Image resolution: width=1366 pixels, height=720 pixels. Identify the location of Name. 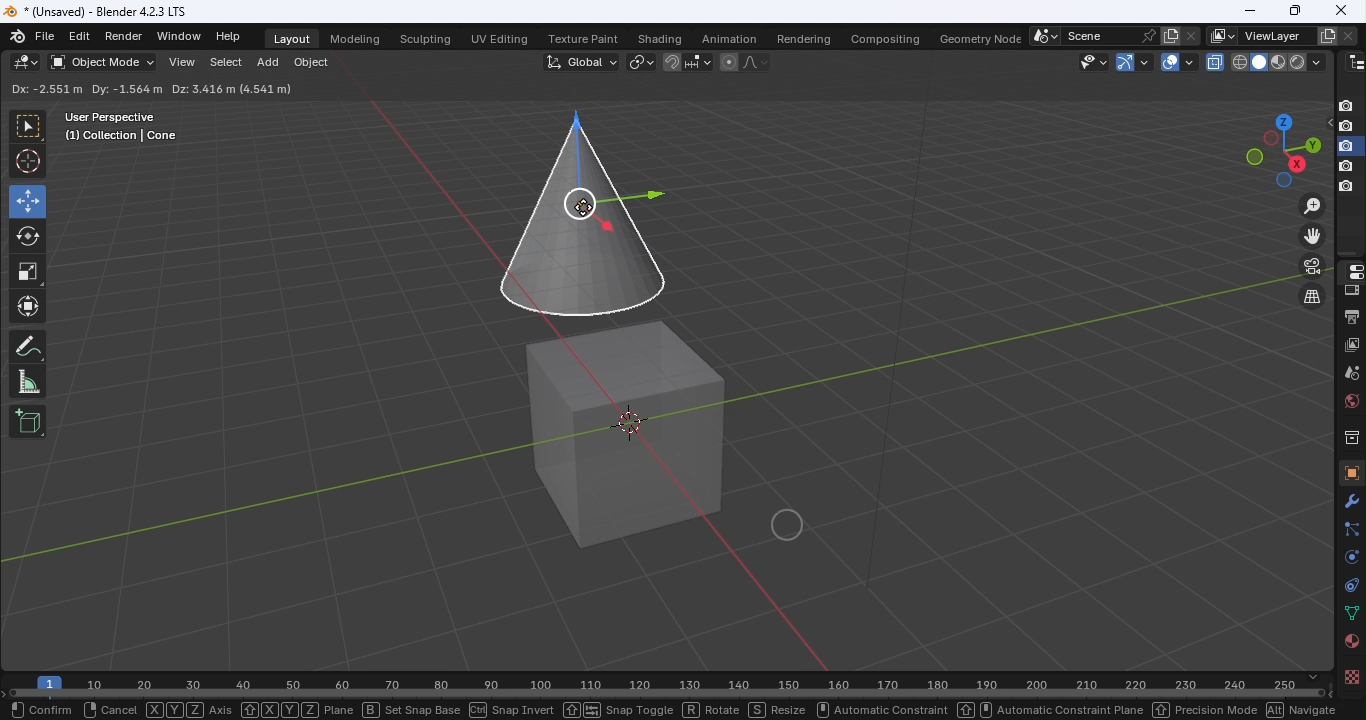
(1098, 35).